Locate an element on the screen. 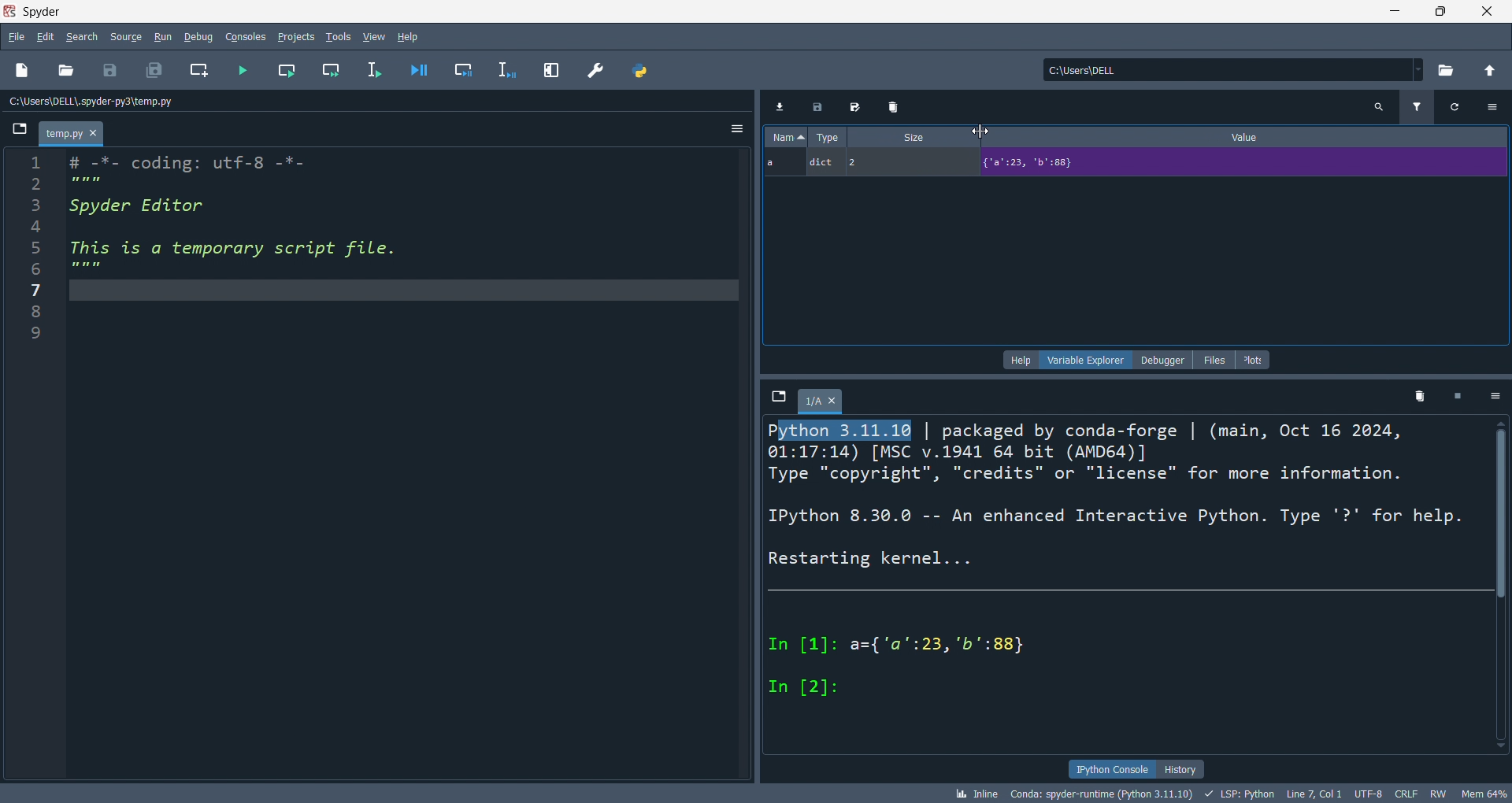 The height and width of the screenshot is (803, 1512). maximize is located at coordinates (1446, 11).